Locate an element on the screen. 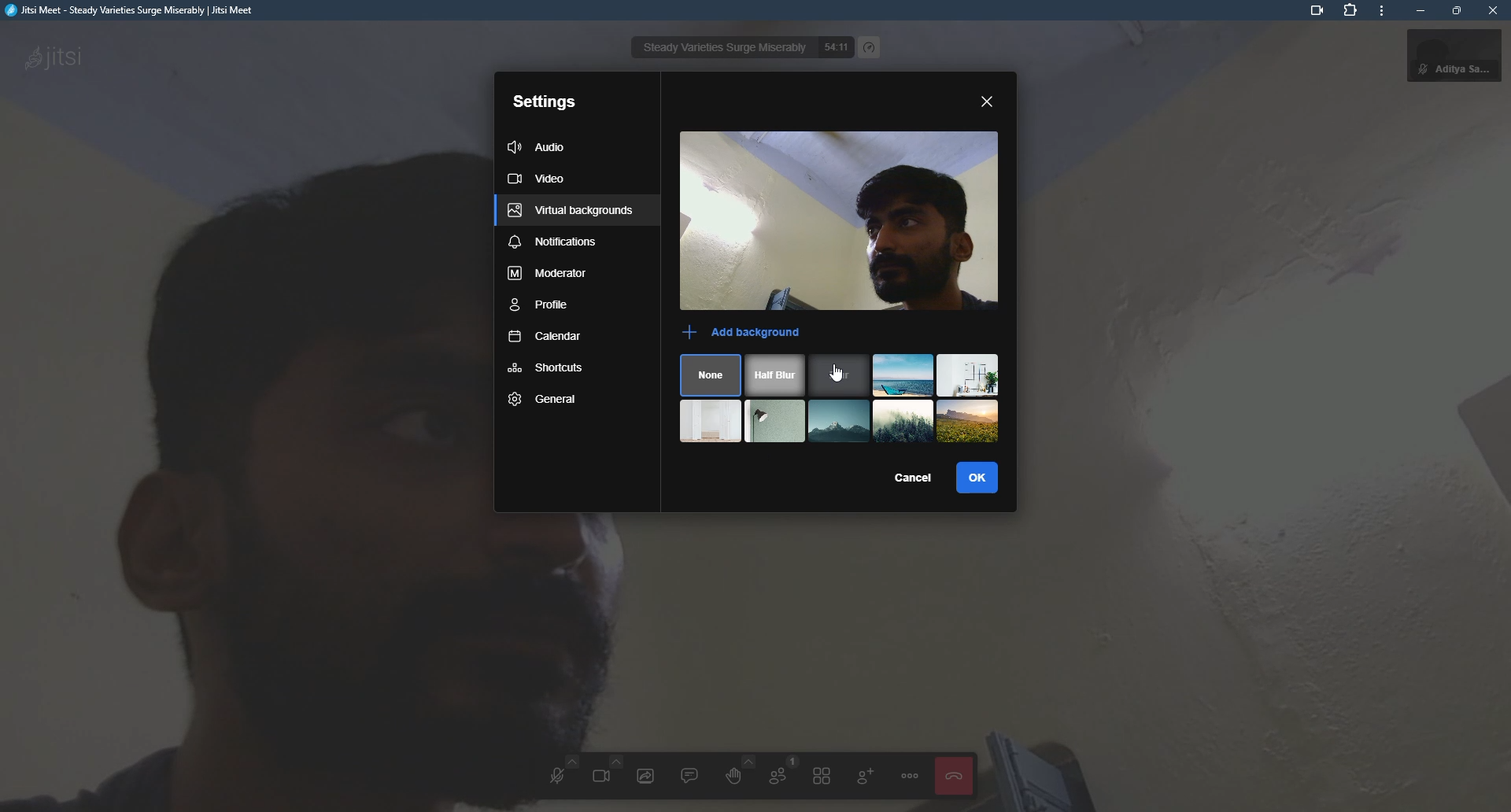 The width and height of the screenshot is (1511, 812). notifications is located at coordinates (552, 244).